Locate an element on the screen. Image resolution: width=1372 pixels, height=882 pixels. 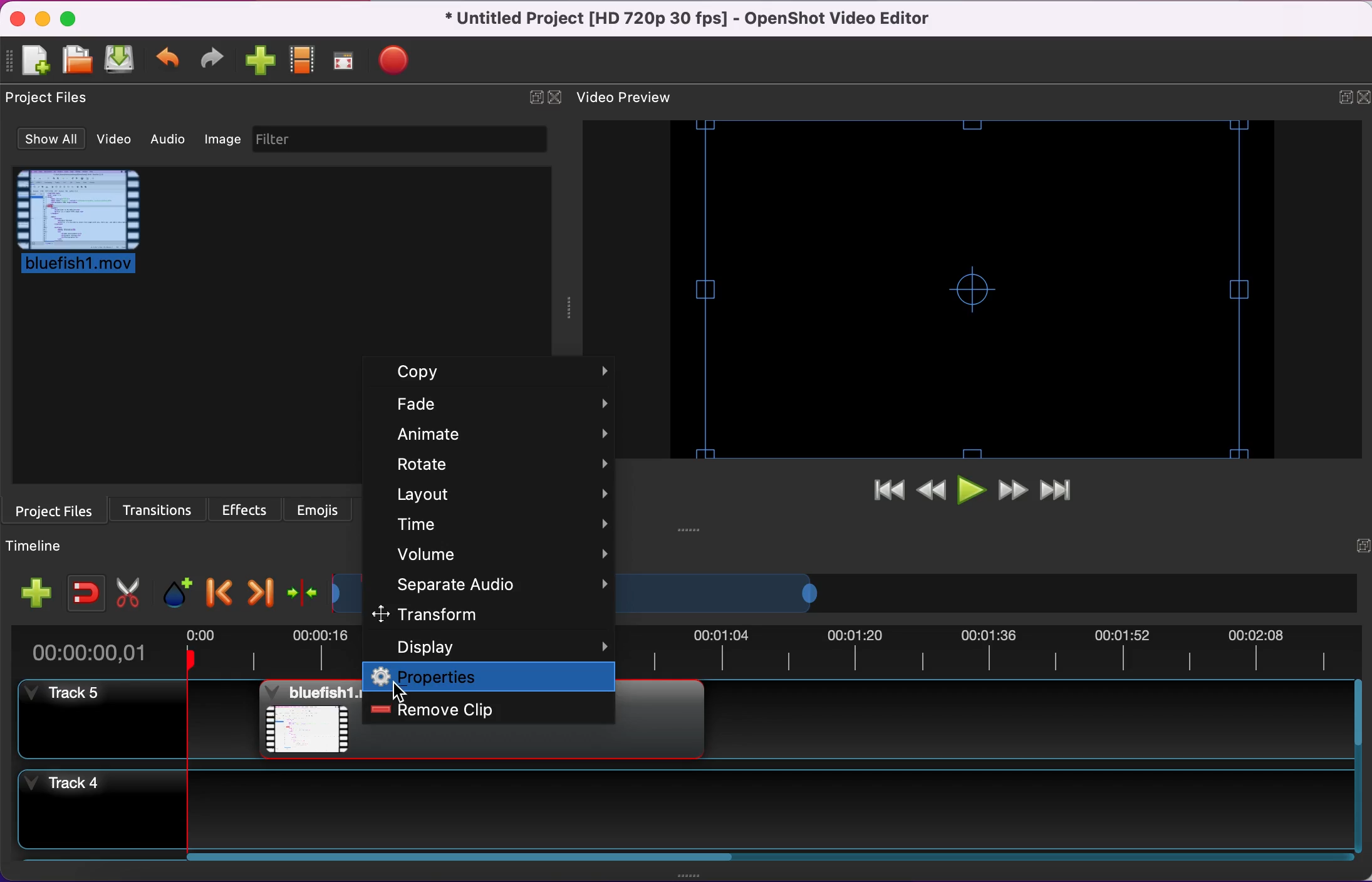
transform is located at coordinates (490, 616).